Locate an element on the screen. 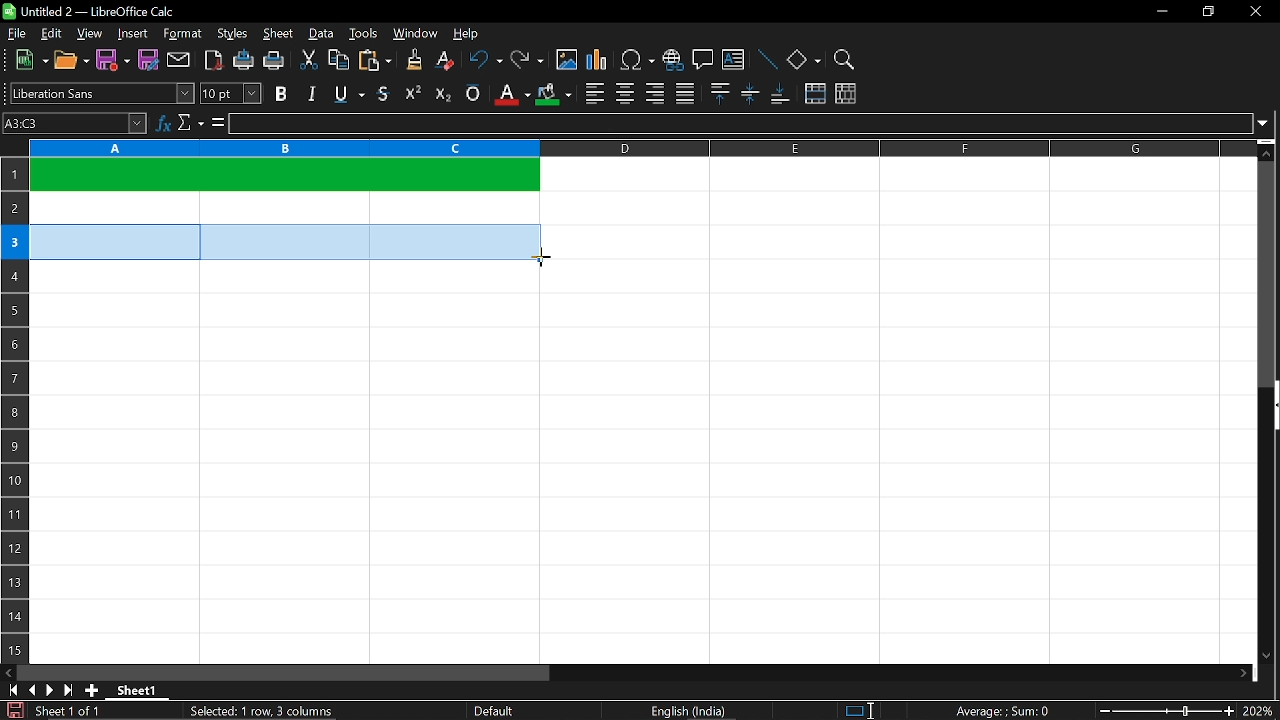 Image resolution: width=1280 pixels, height=720 pixels. Untitled 2 - LibreOffice Calc is located at coordinates (90, 11).